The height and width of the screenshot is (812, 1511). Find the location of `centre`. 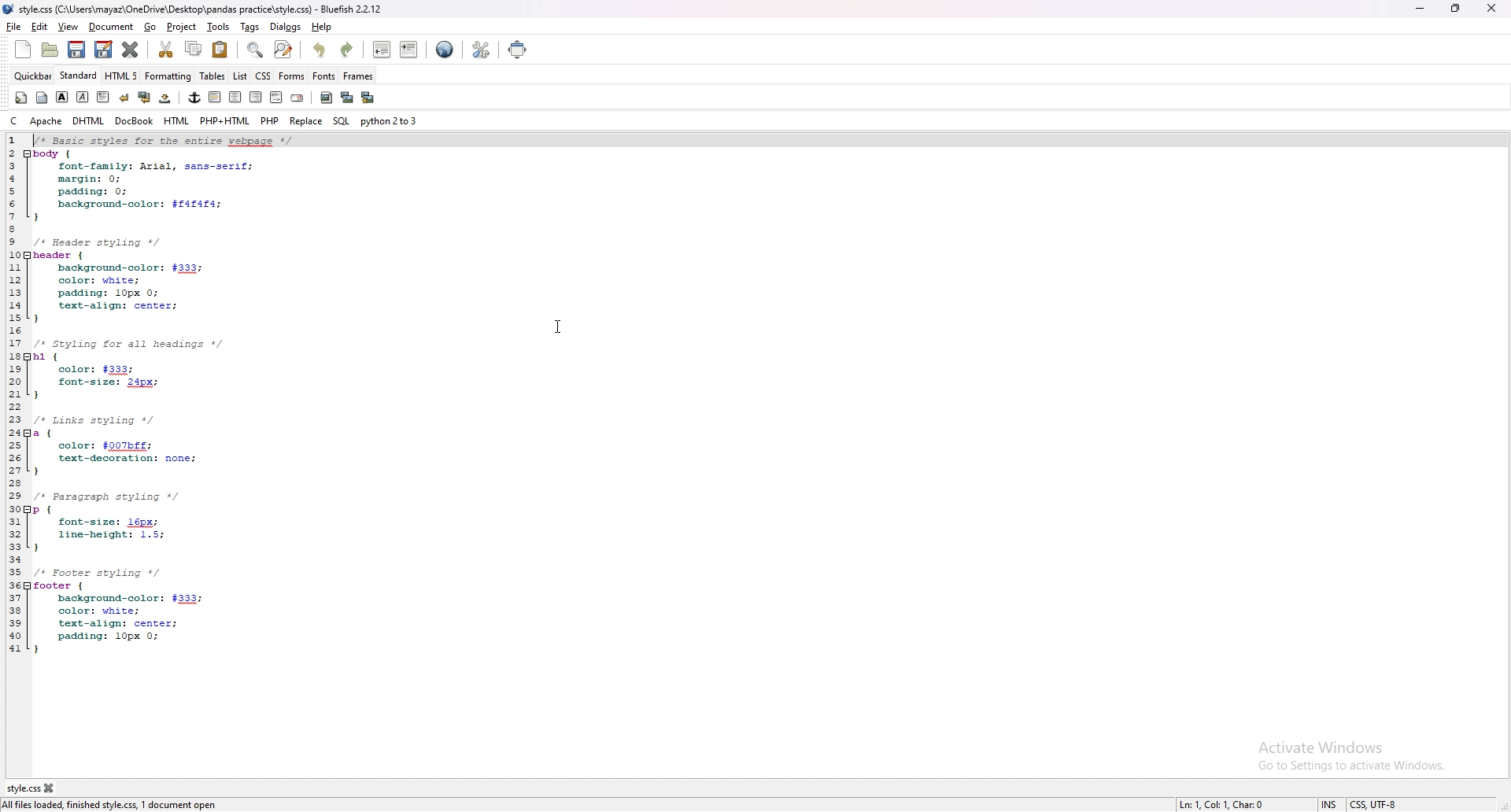

centre is located at coordinates (235, 96).